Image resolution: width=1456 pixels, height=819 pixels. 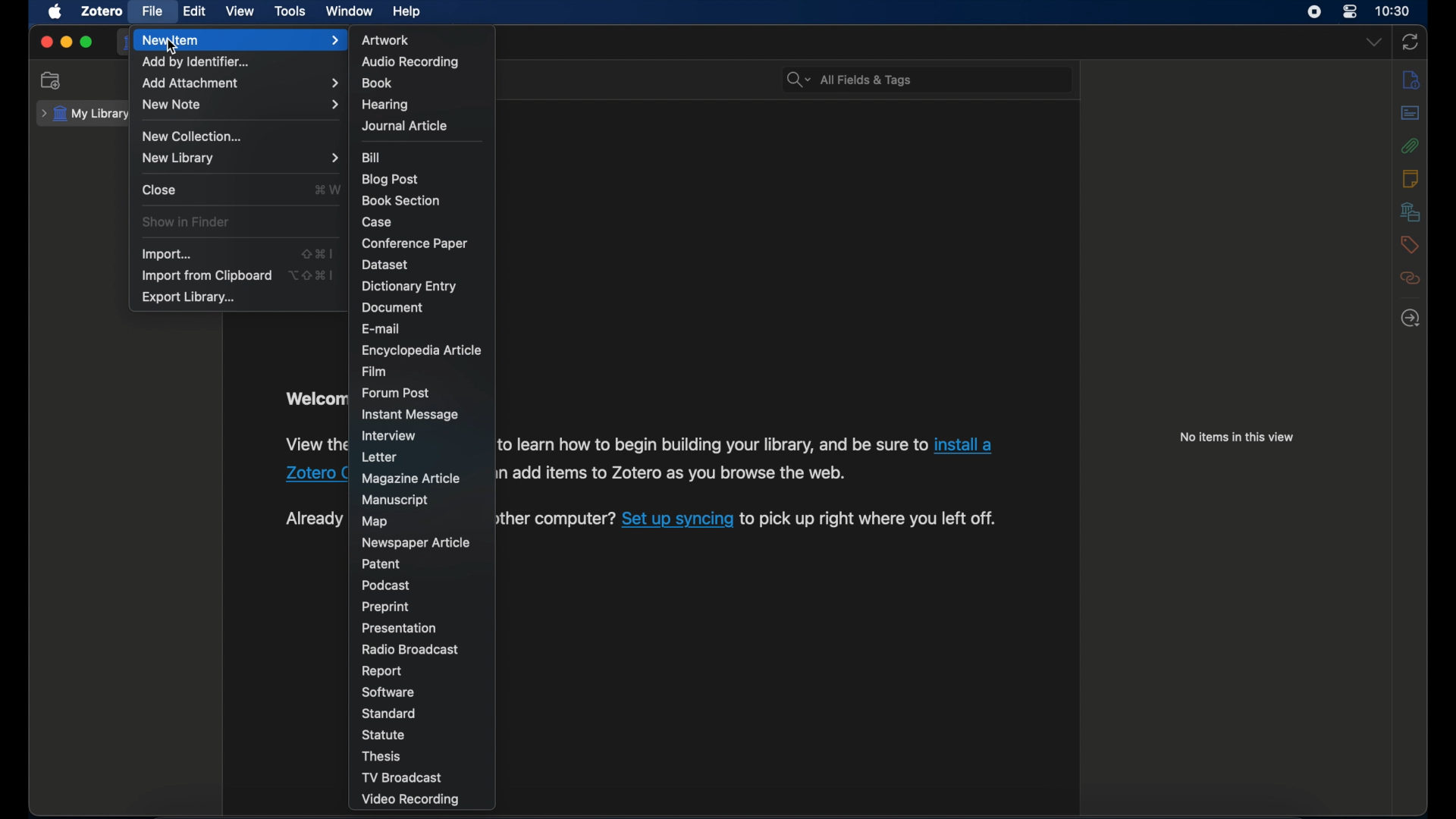 I want to click on shortcut, so click(x=318, y=253).